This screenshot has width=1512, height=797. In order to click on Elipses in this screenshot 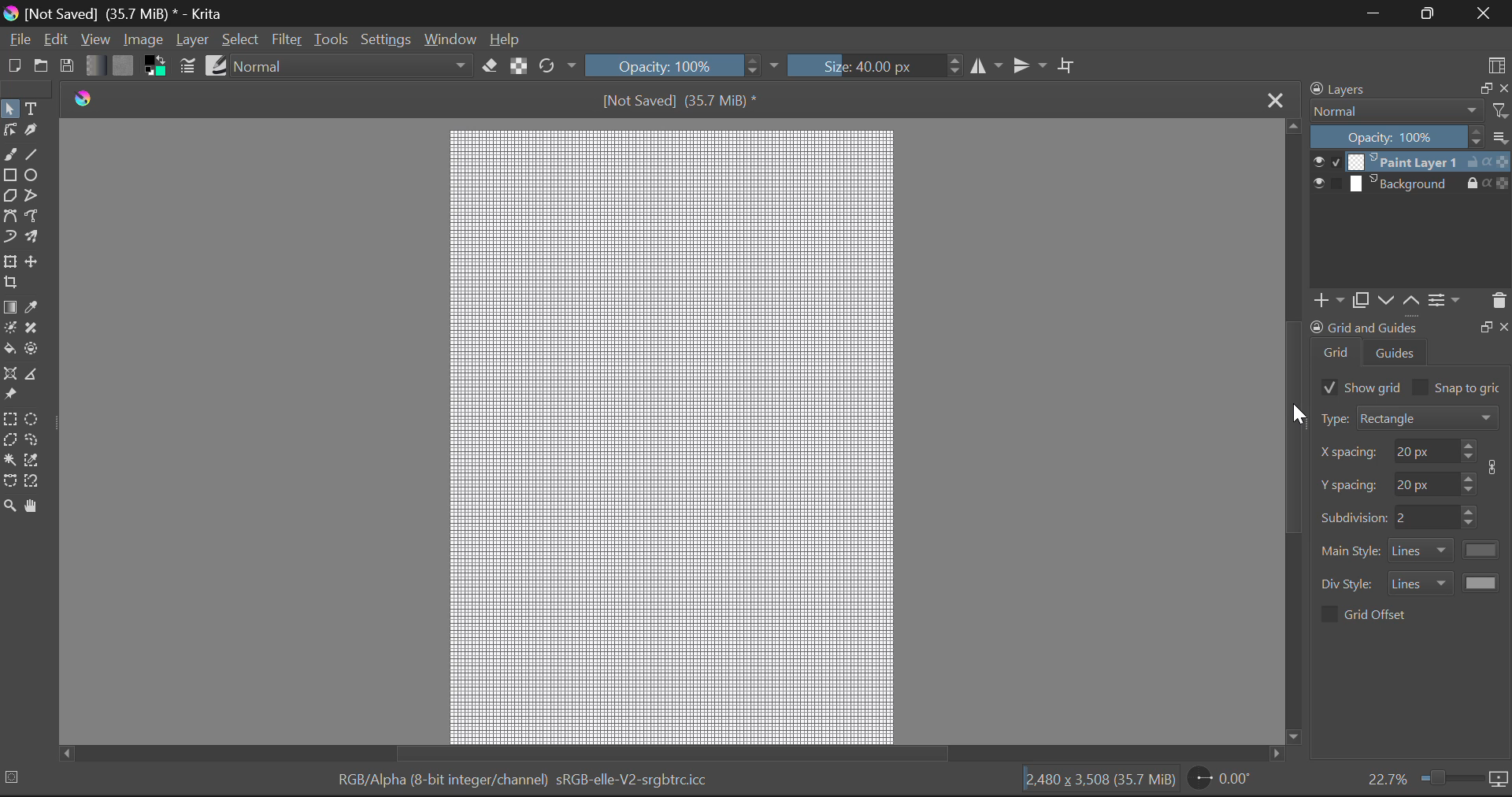, I will do `click(32, 175)`.